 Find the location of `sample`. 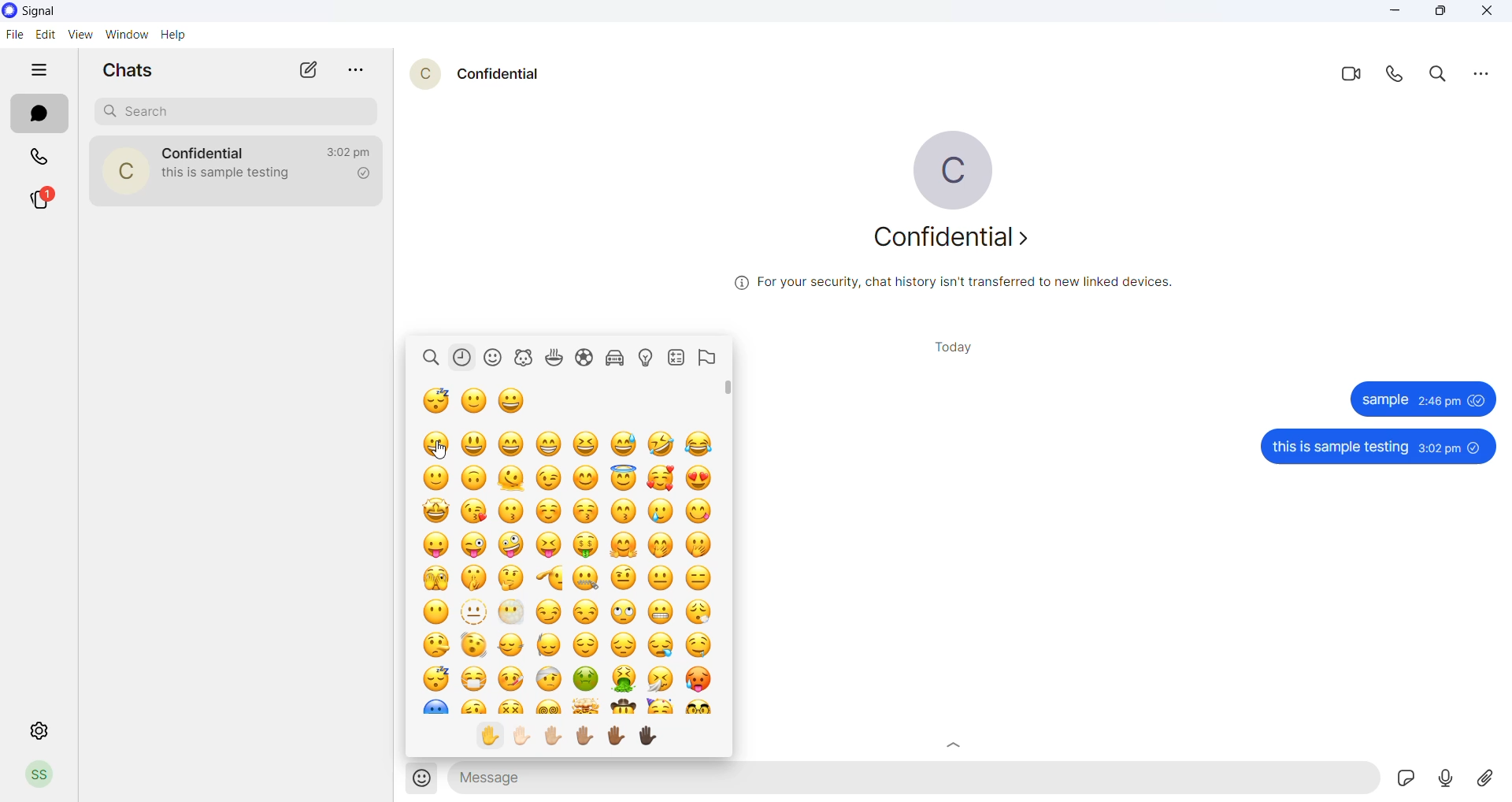

sample is located at coordinates (1384, 399).